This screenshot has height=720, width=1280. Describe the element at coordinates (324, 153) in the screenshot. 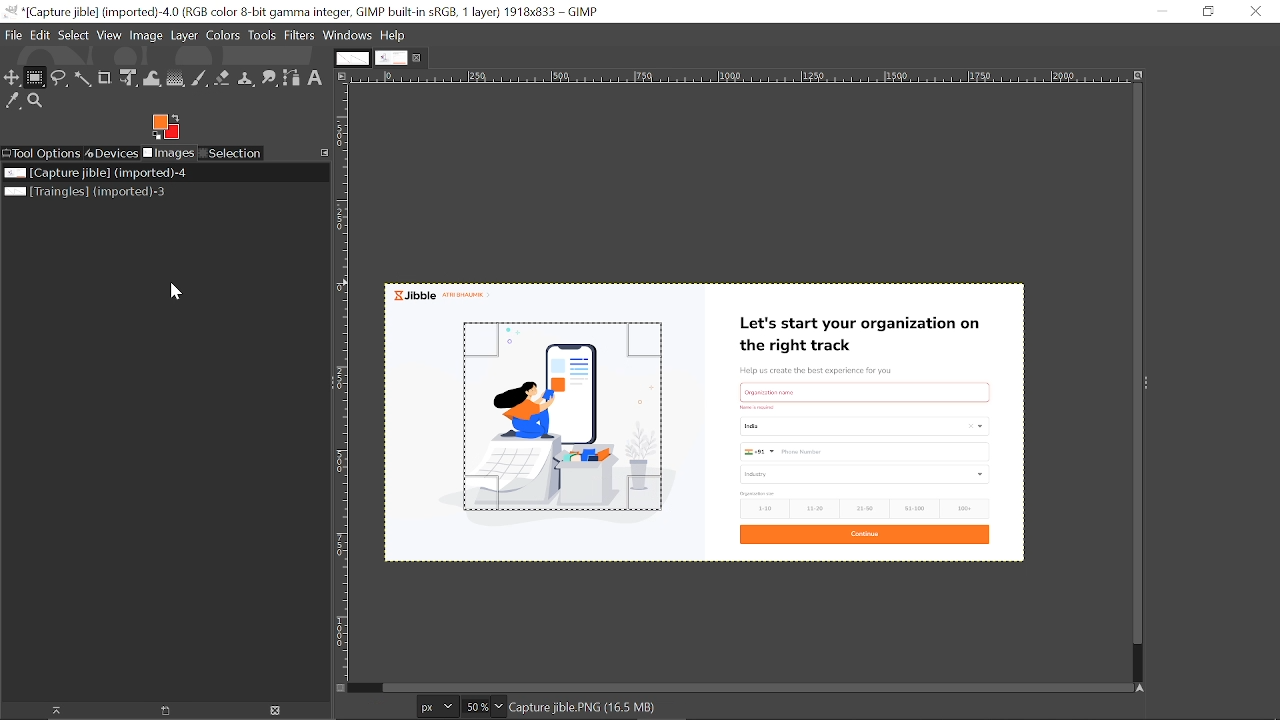

I see `Configure this tab` at that location.